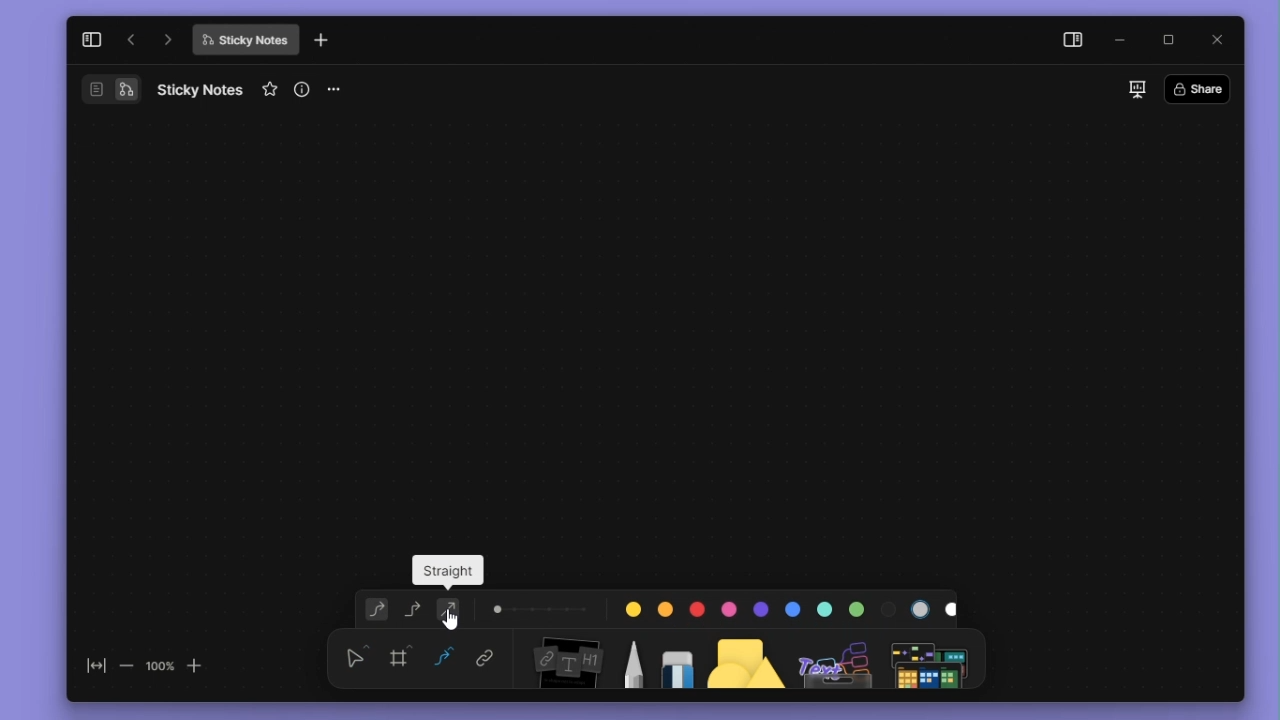 The width and height of the screenshot is (1280, 720). What do you see at coordinates (403, 656) in the screenshot?
I see `frame` at bounding box center [403, 656].